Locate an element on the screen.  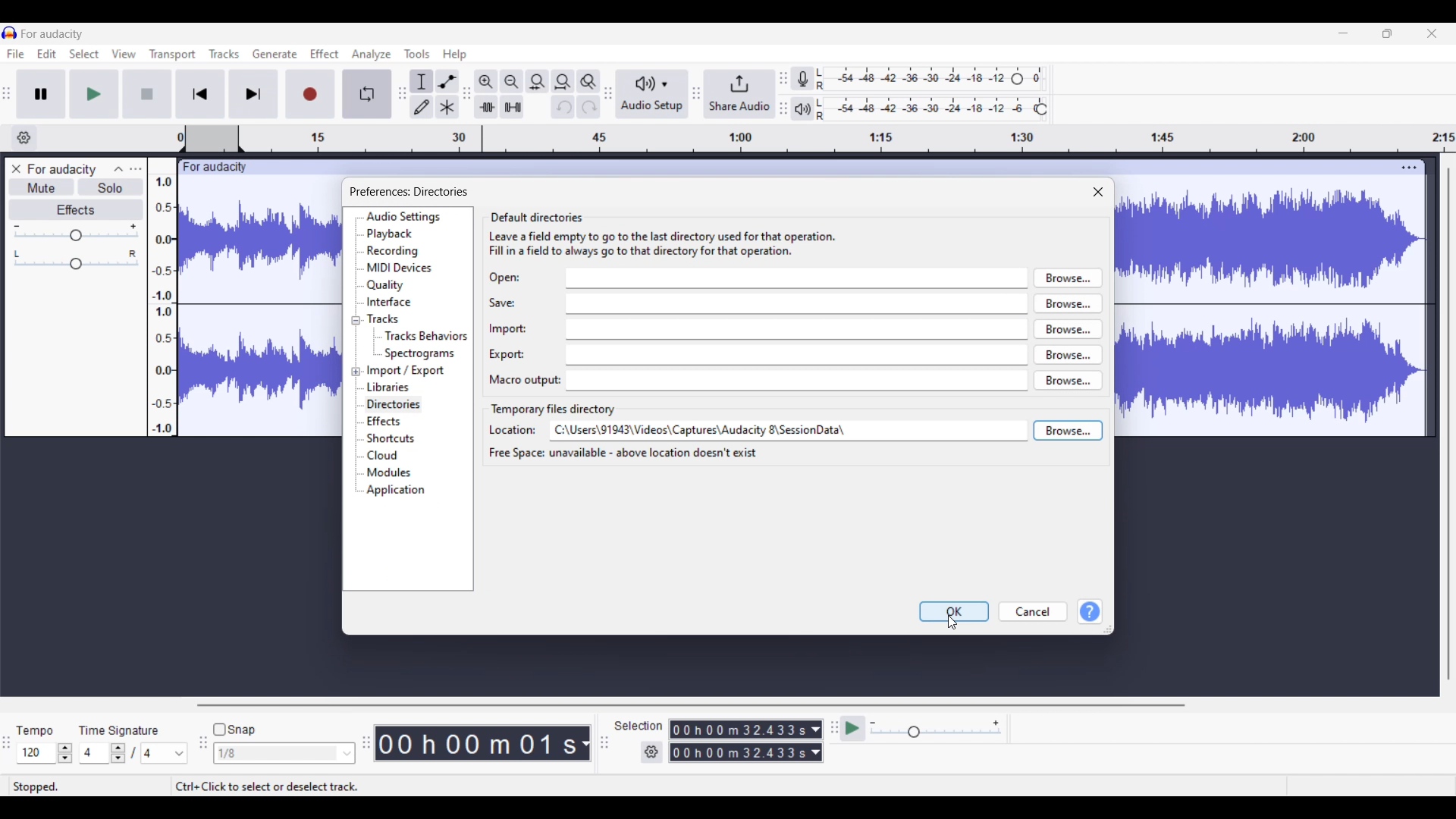
Edit menu is located at coordinates (47, 54).